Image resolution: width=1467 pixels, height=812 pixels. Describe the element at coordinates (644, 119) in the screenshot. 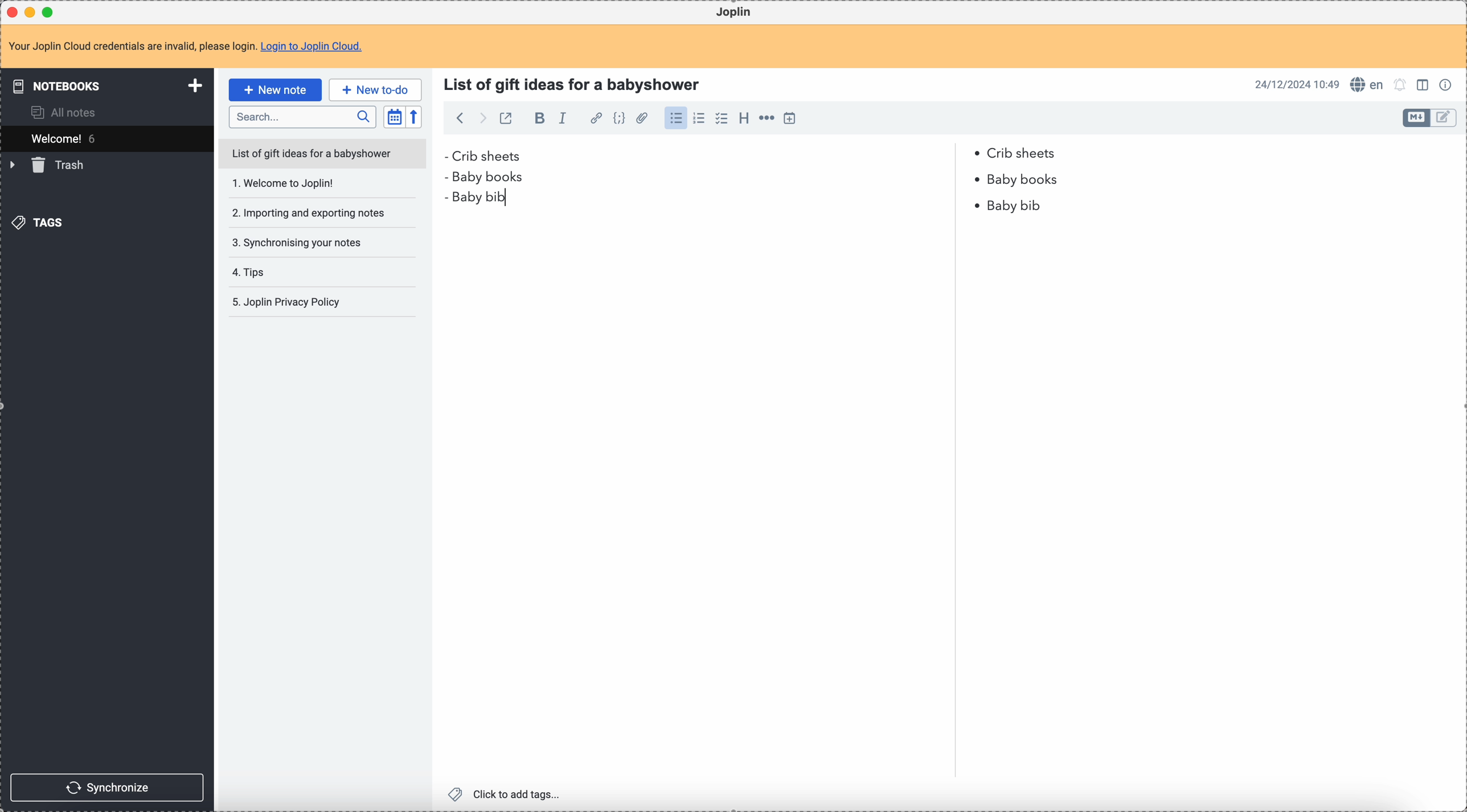

I see `attach file` at that location.